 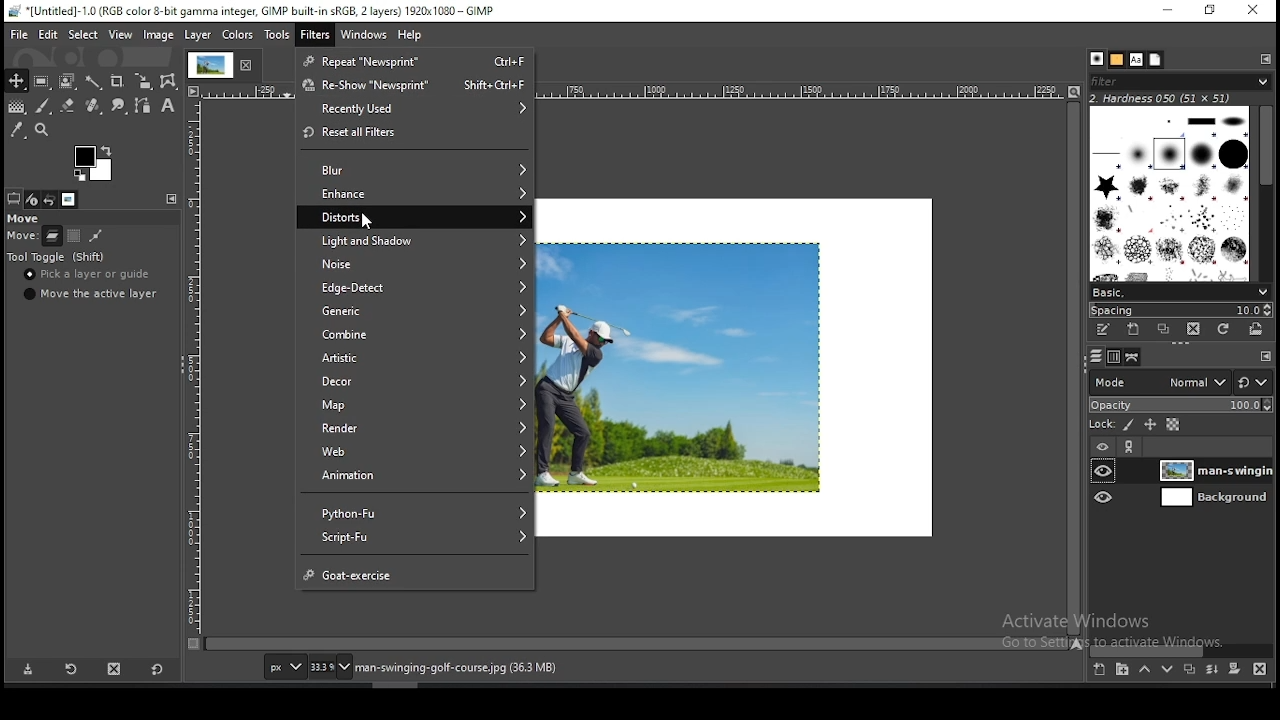 I want to click on web, so click(x=414, y=451).